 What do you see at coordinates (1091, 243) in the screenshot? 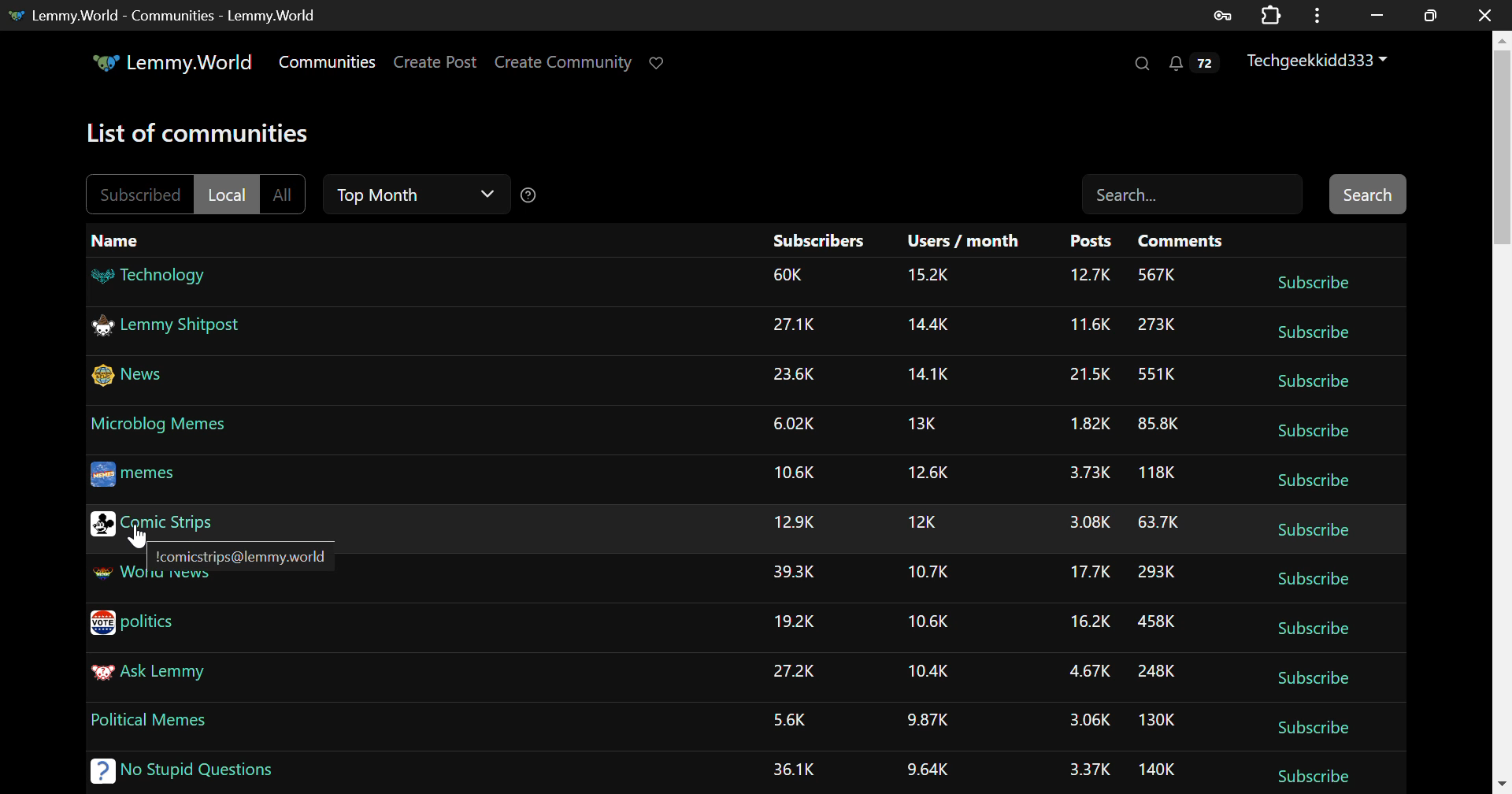
I see `Posts` at bounding box center [1091, 243].